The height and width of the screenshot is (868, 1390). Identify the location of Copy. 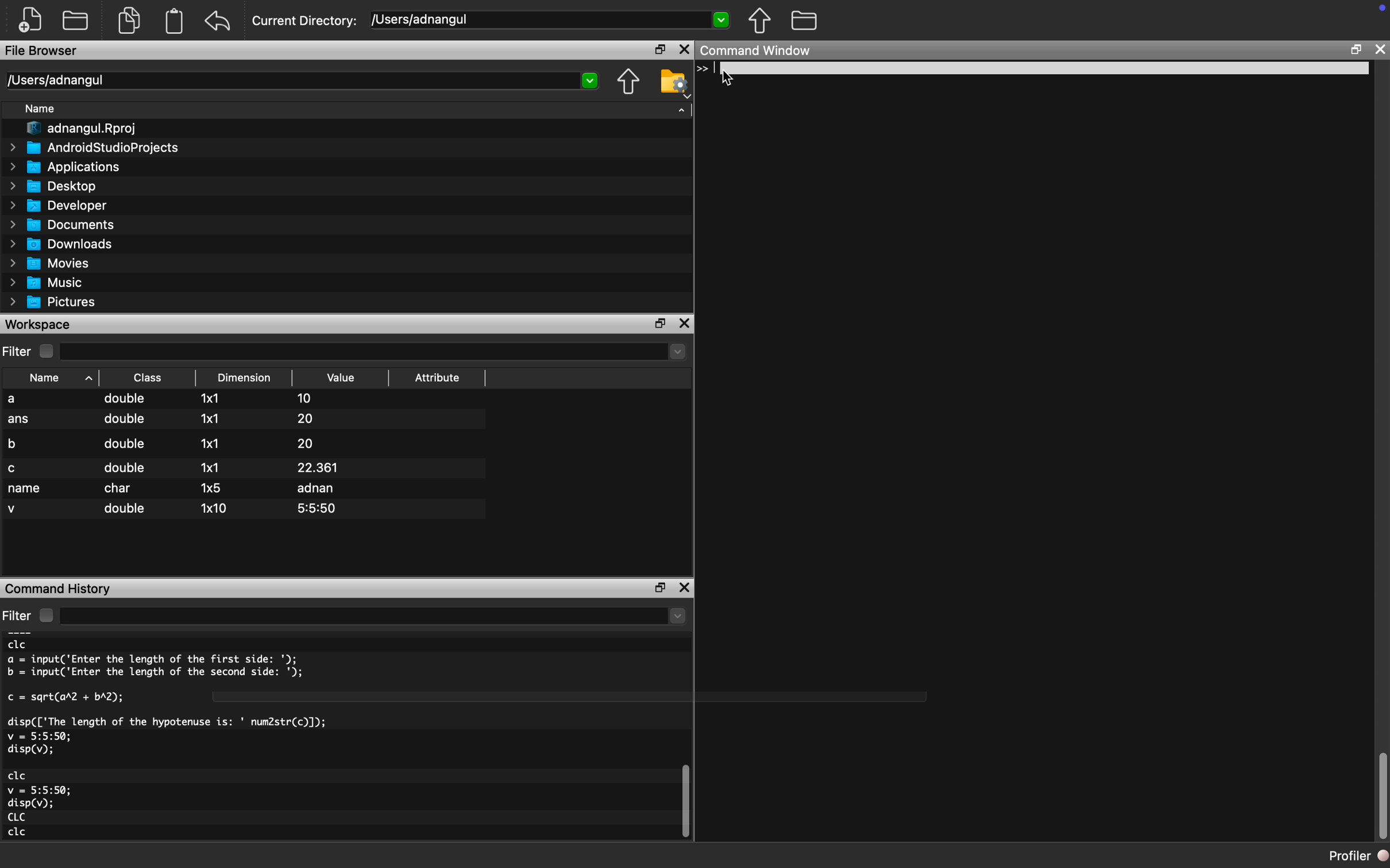
(130, 18).